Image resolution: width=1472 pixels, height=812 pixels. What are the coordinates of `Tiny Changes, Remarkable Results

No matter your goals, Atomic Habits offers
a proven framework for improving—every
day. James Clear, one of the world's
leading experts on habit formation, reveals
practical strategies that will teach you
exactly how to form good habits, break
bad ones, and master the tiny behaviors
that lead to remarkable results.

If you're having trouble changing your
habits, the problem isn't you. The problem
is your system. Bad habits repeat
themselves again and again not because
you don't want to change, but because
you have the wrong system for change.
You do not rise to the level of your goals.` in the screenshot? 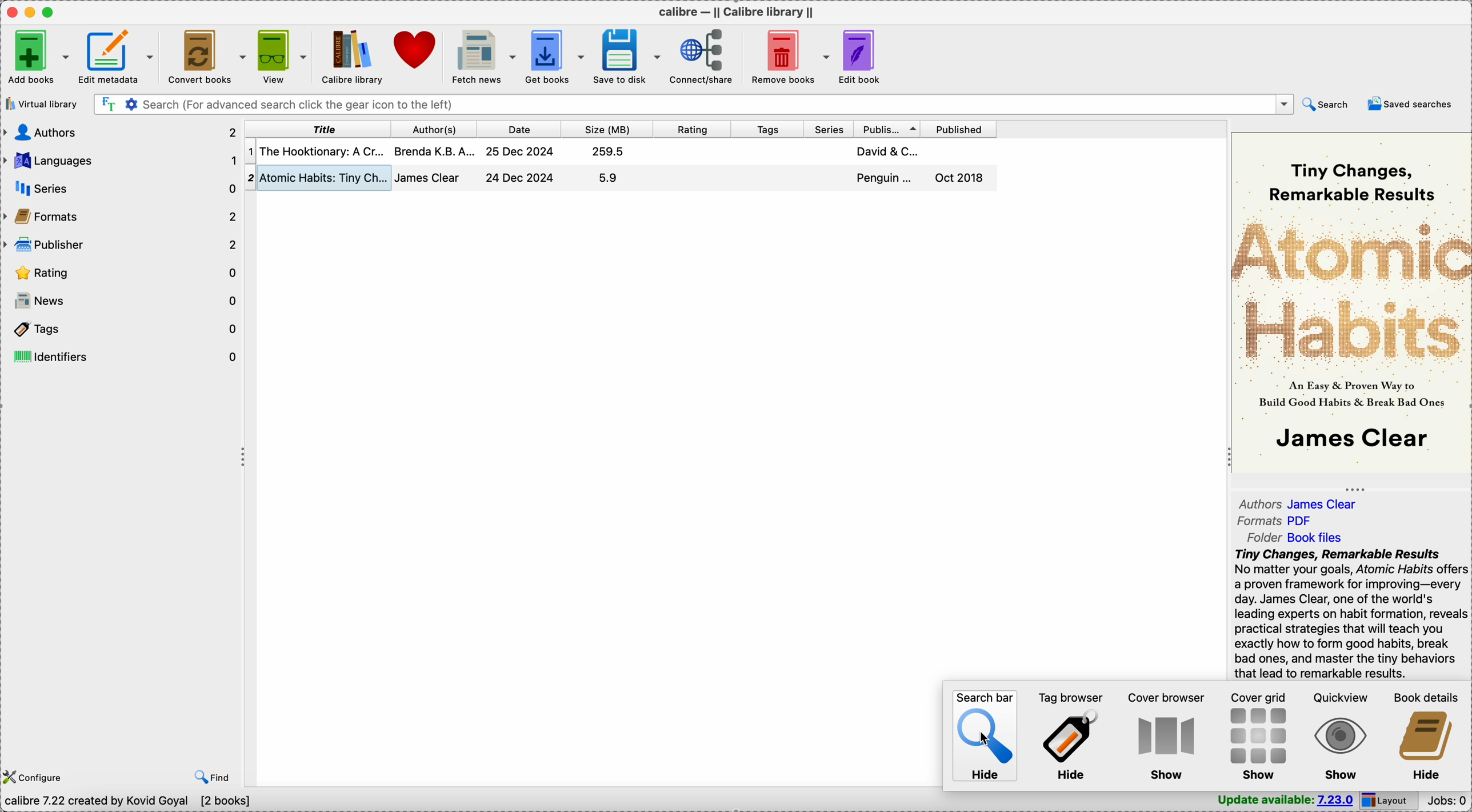 It's located at (1348, 614).